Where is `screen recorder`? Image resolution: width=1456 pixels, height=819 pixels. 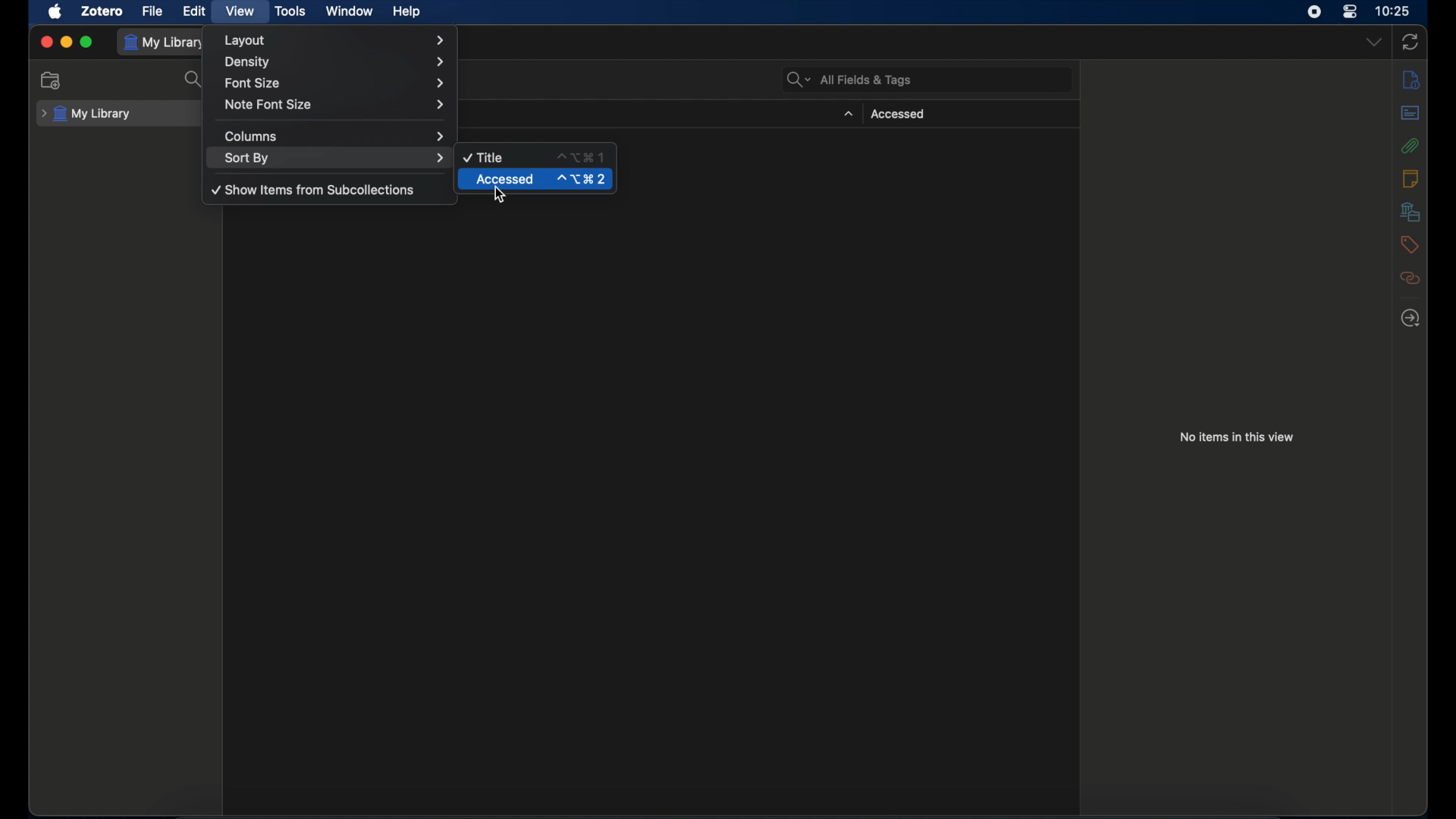
screen recorder is located at coordinates (1314, 11).